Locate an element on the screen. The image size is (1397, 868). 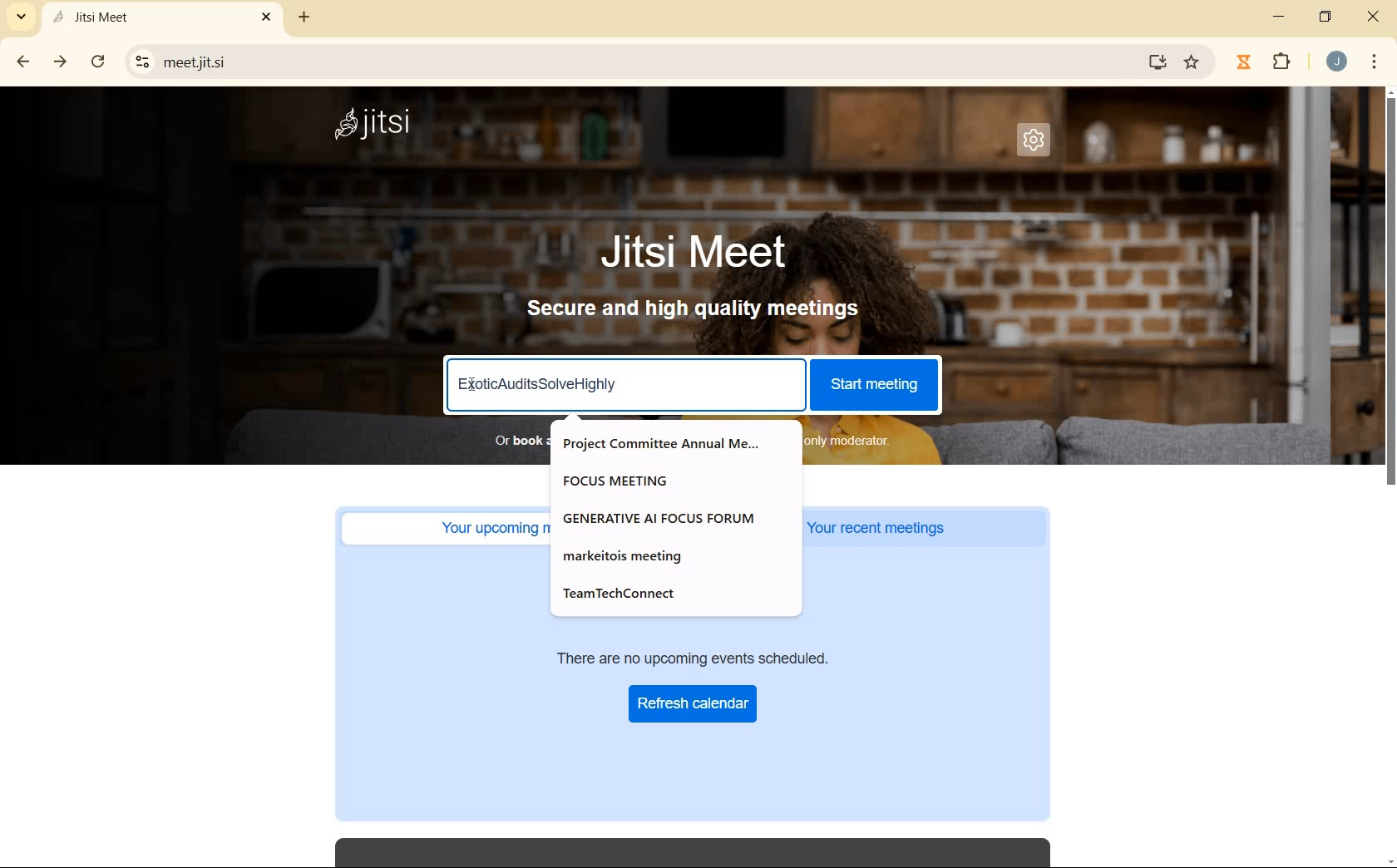
FOCUS MEETING is located at coordinates (626, 479).